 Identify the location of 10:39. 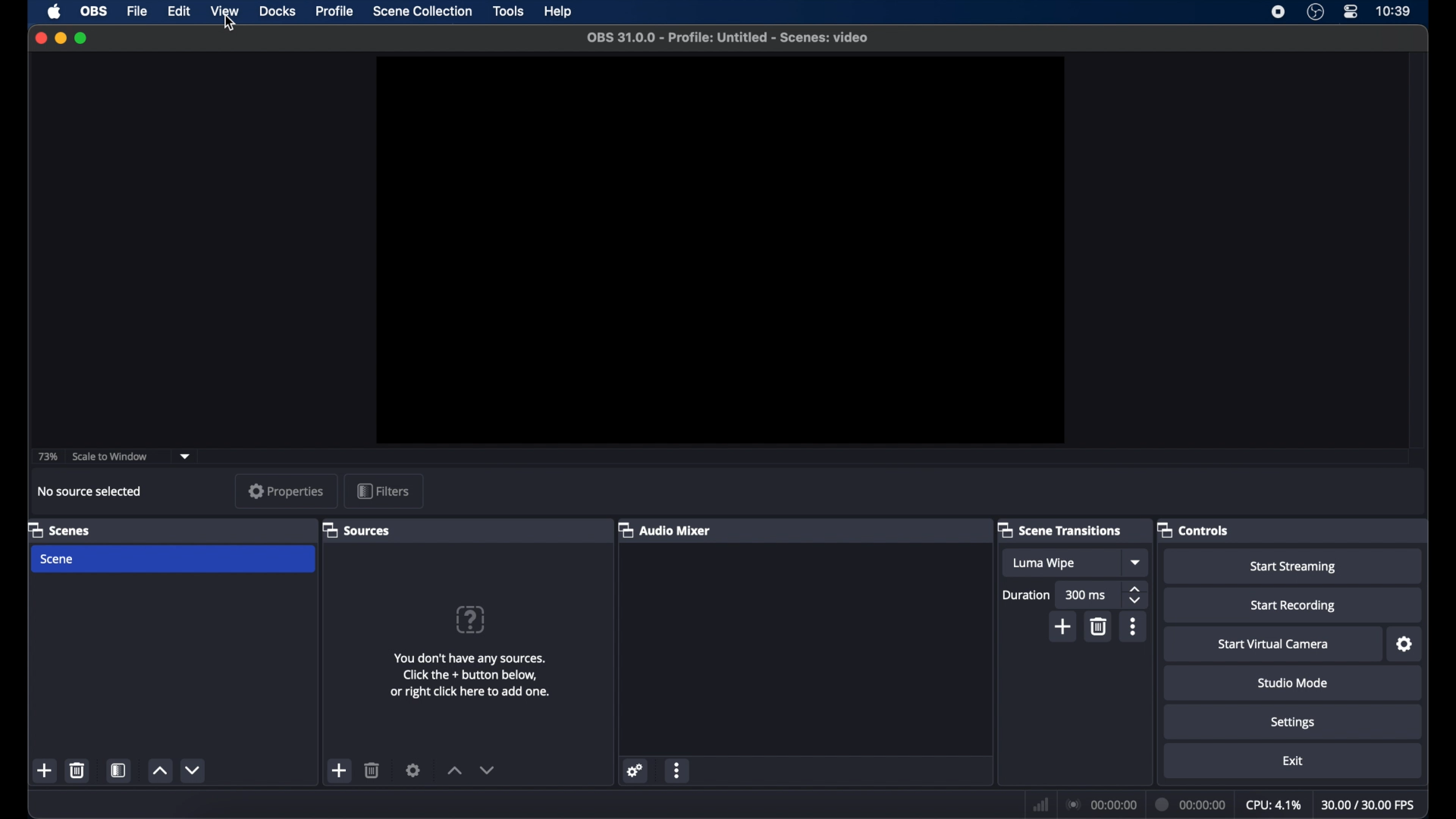
(1393, 12).